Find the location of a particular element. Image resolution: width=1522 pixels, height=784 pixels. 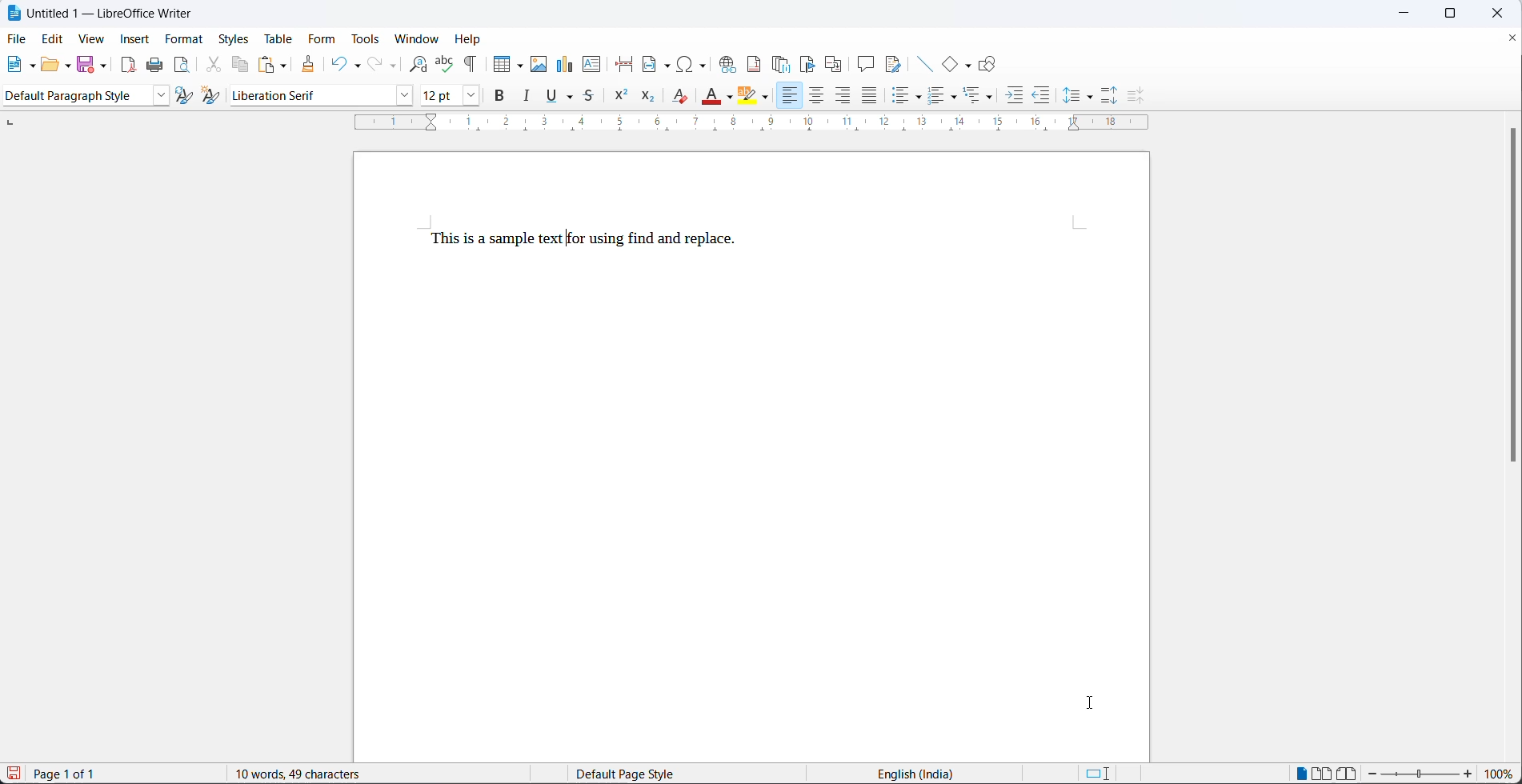

insert hyperlink is located at coordinates (729, 64).